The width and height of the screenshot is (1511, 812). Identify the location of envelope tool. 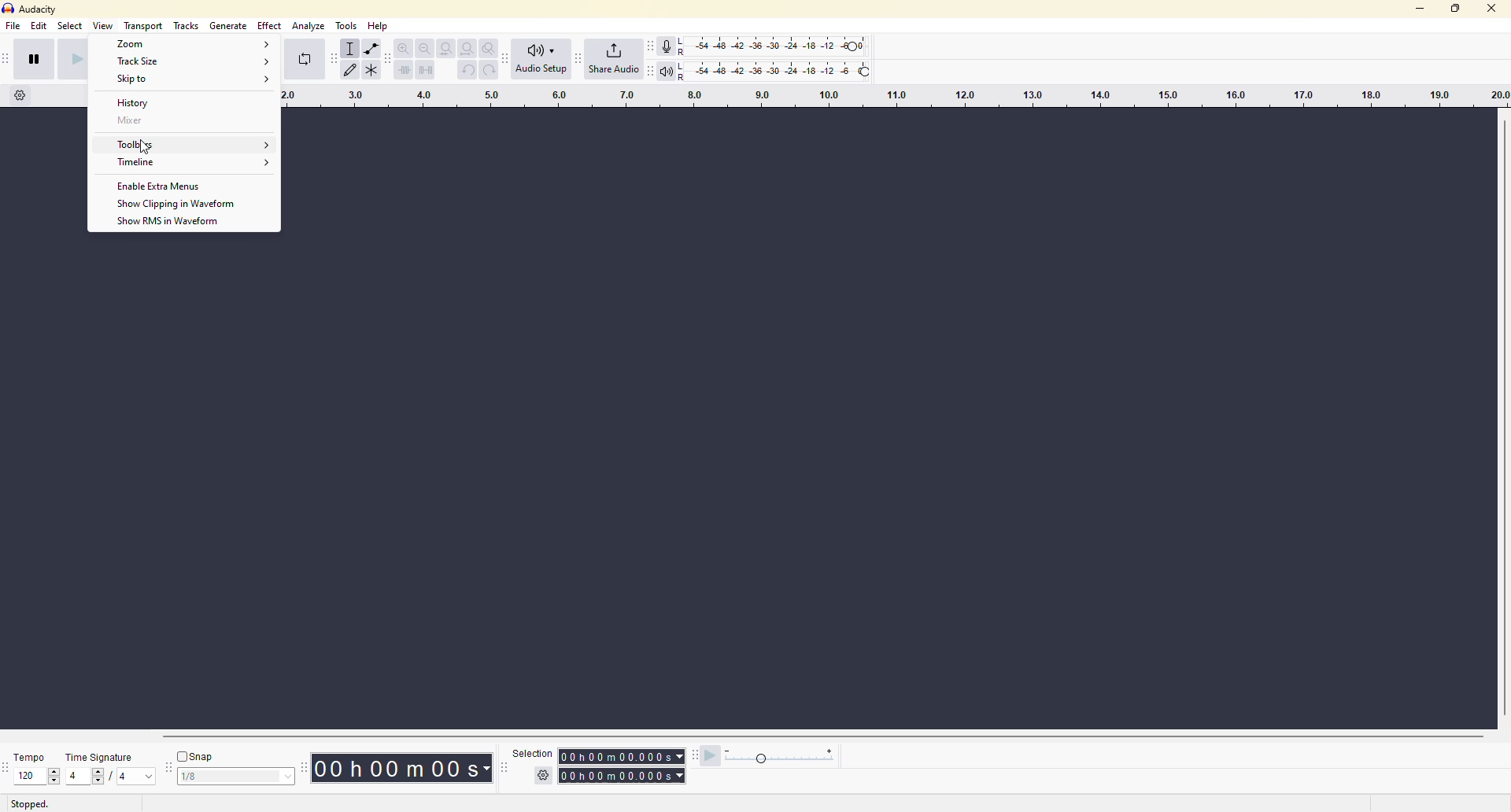
(373, 49).